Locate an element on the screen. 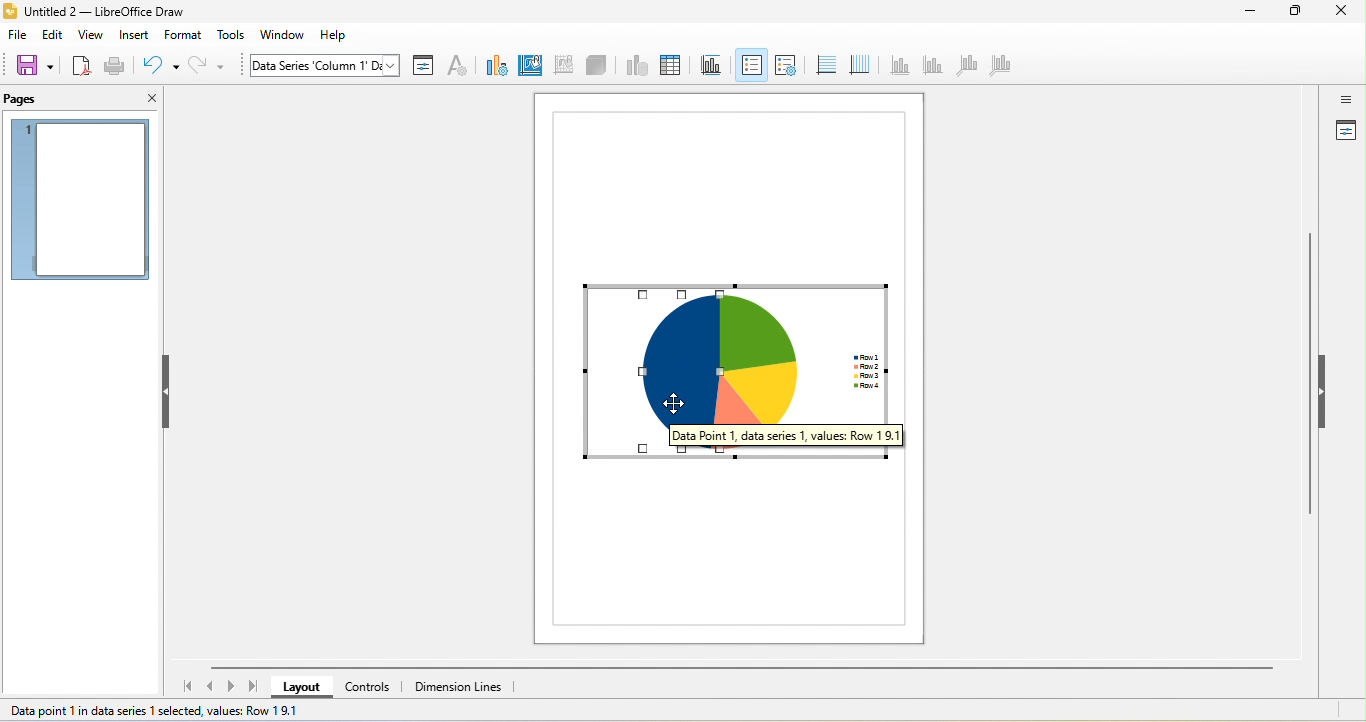 The image size is (1366, 722). export as pdf is located at coordinates (81, 65).